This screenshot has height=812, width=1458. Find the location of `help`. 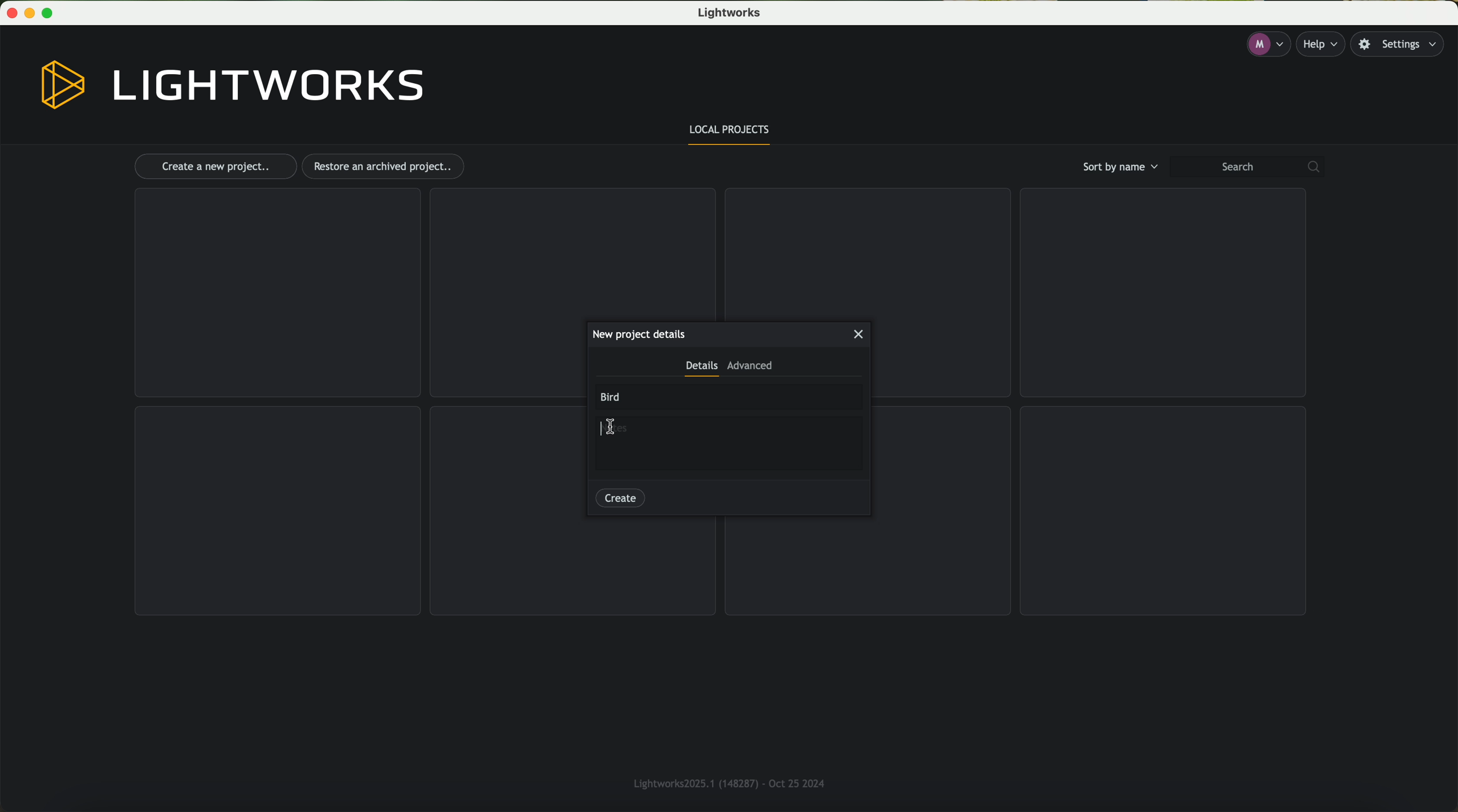

help is located at coordinates (1324, 44).